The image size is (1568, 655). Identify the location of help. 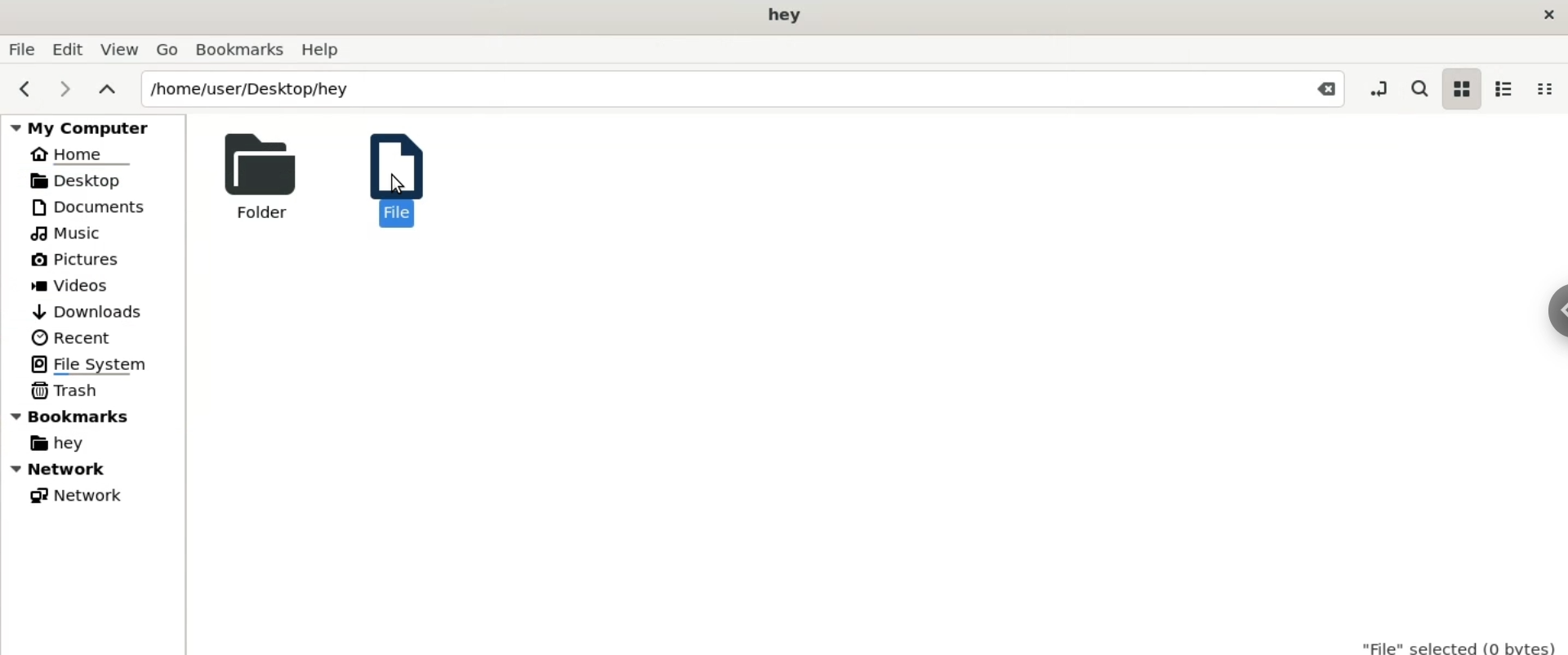
(325, 51).